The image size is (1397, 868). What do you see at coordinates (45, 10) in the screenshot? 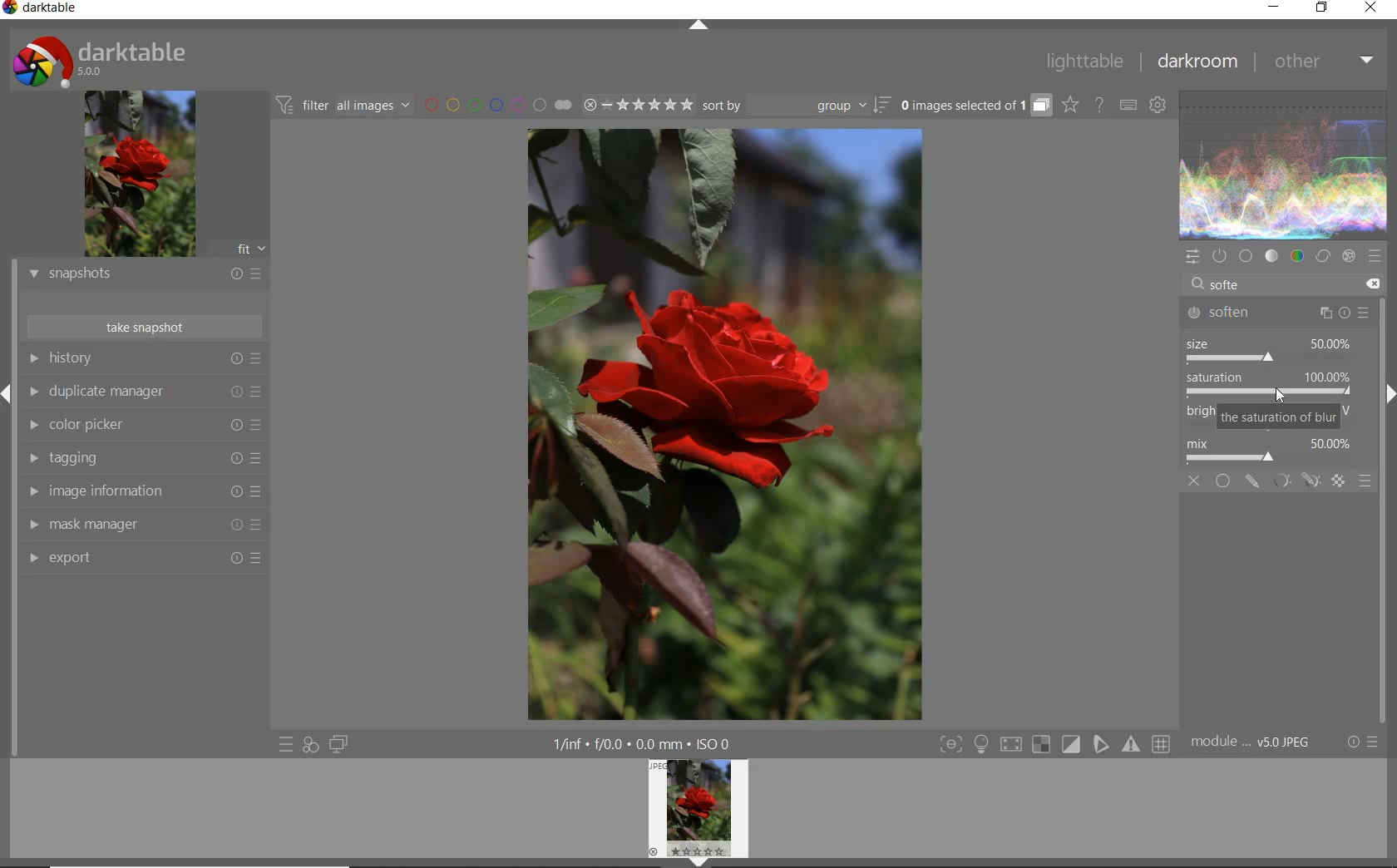
I see `system name` at bounding box center [45, 10].